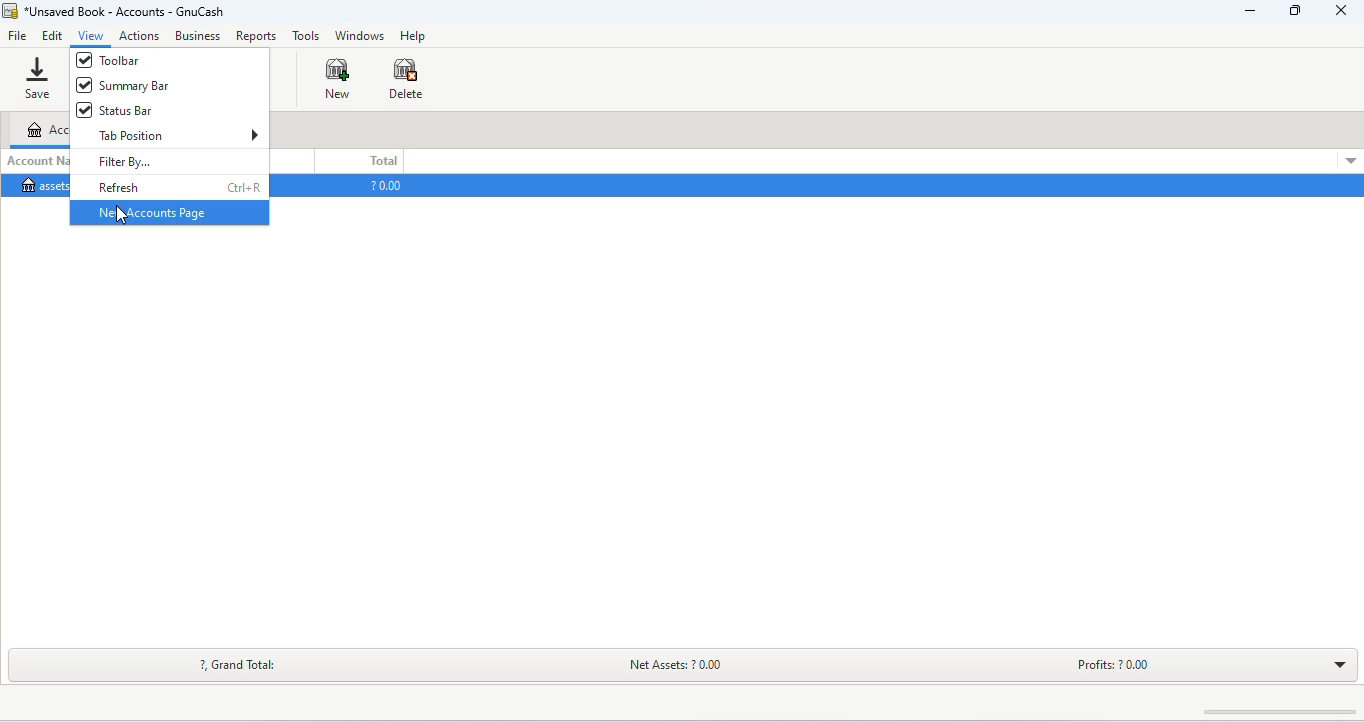 The height and width of the screenshot is (722, 1364). I want to click on filter by, so click(124, 161).